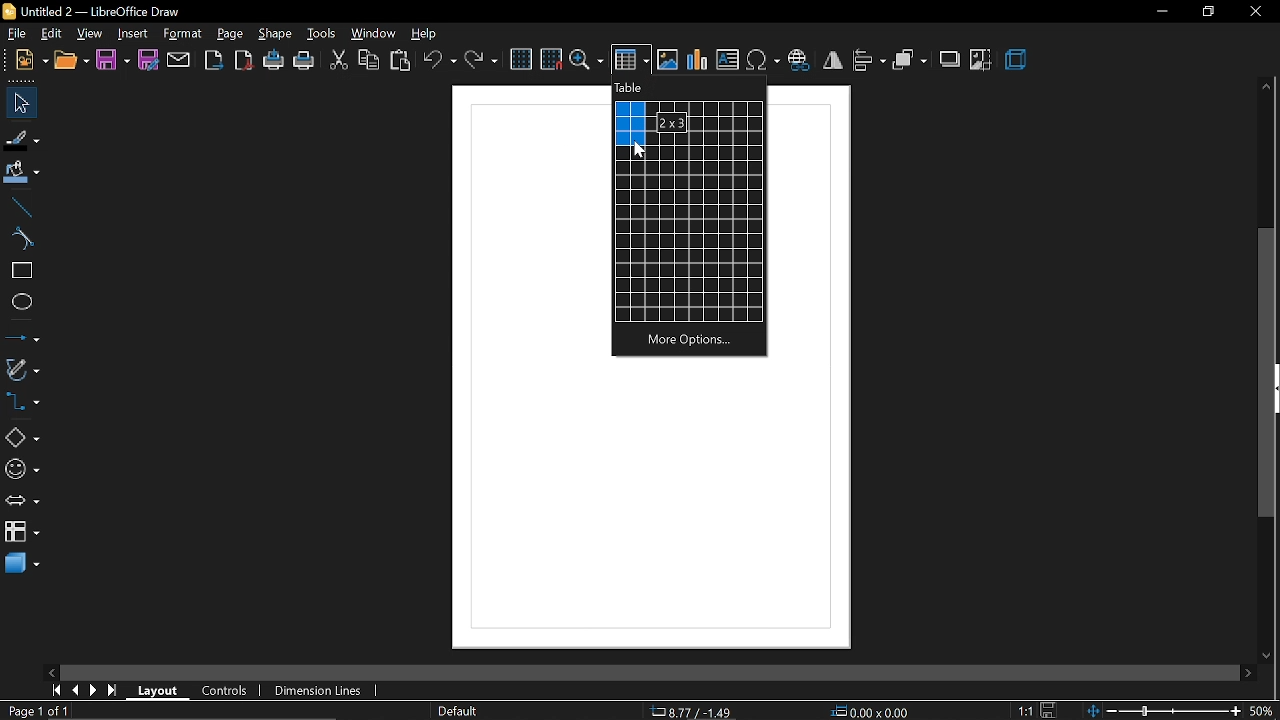 This screenshot has height=720, width=1280. Describe the element at coordinates (698, 59) in the screenshot. I see `insert chart` at that location.